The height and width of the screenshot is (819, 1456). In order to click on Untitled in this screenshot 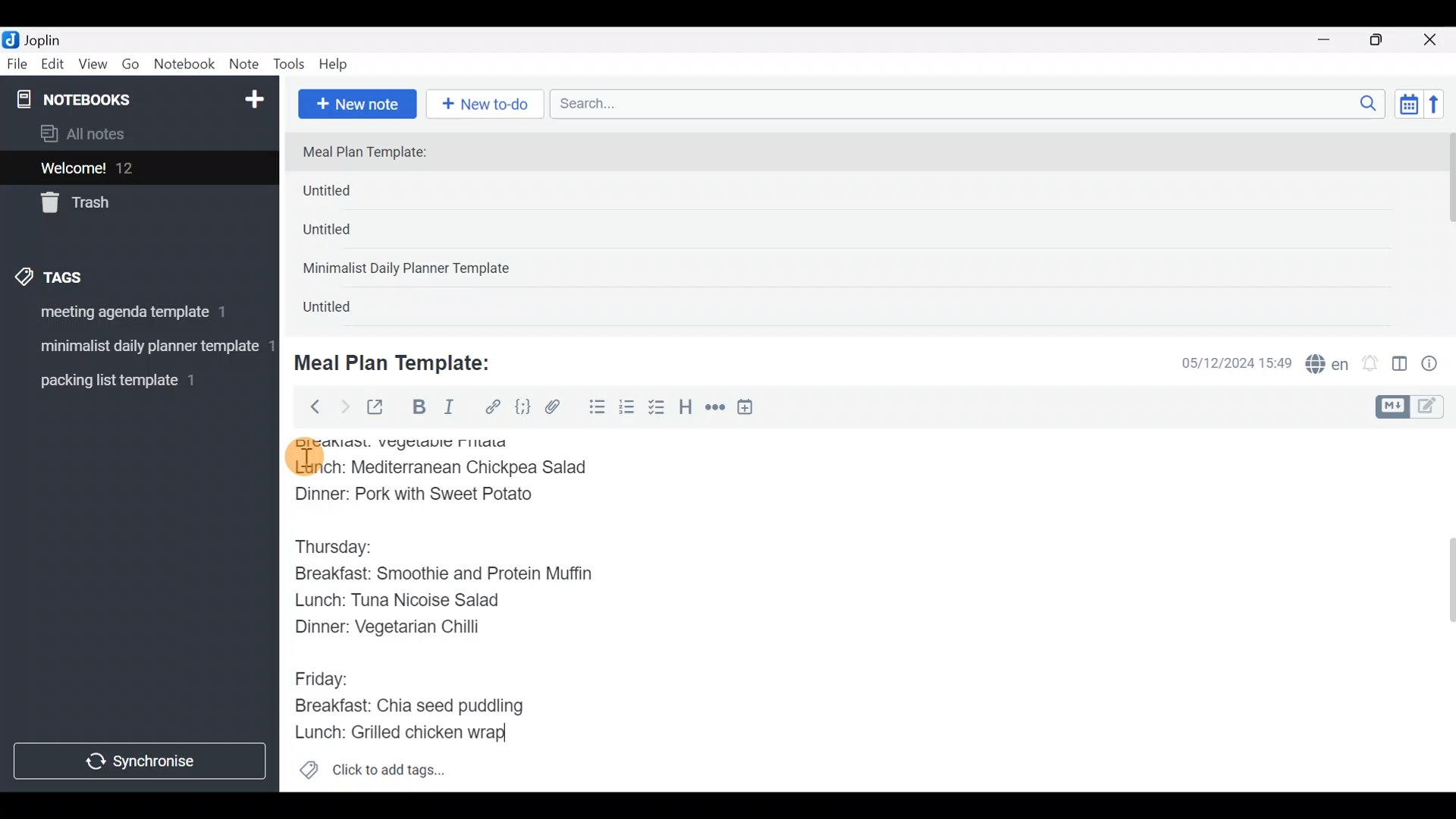, I will do `click(347, 234)`.